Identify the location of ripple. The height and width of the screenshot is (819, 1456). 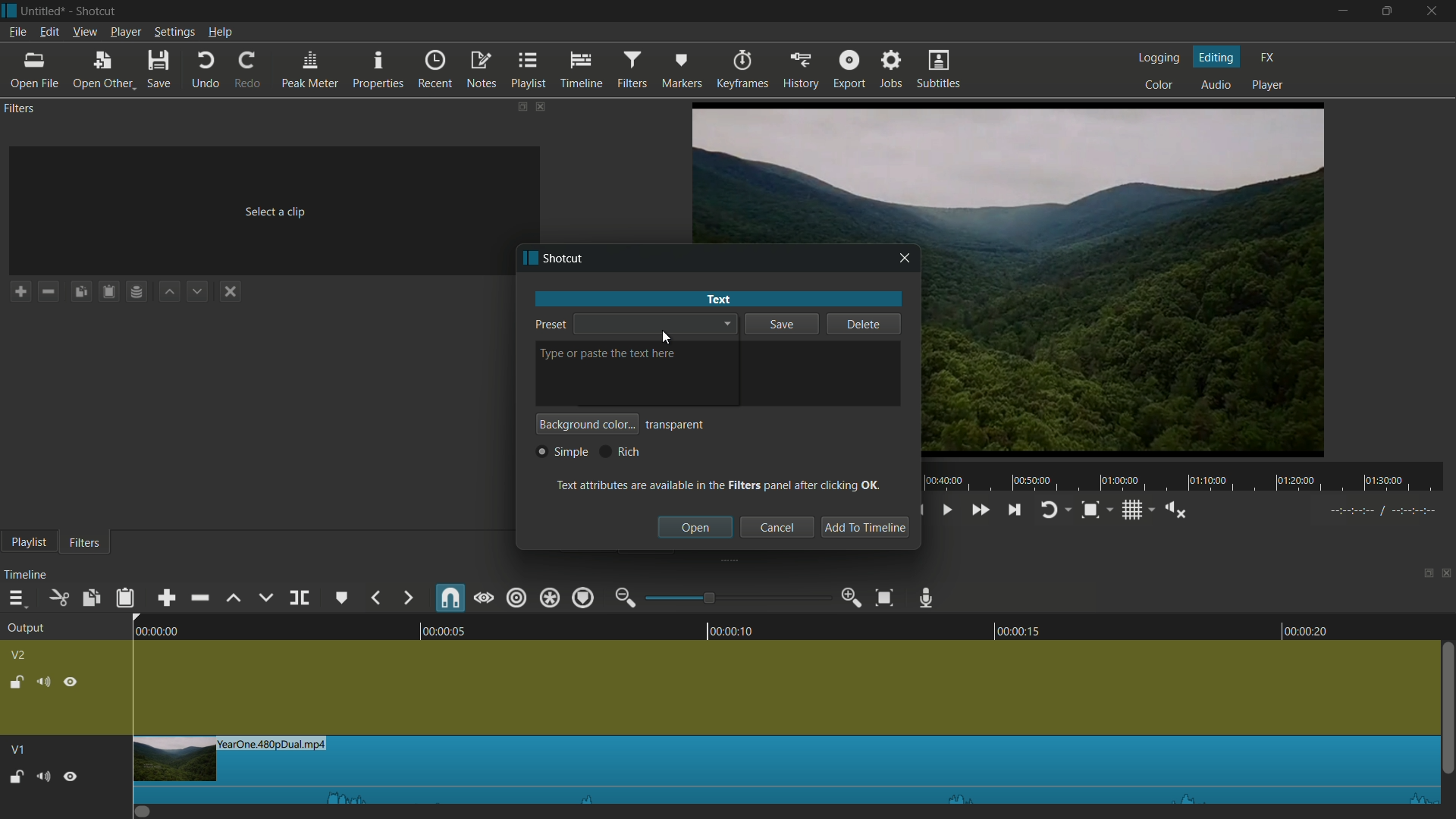
(518, 598).